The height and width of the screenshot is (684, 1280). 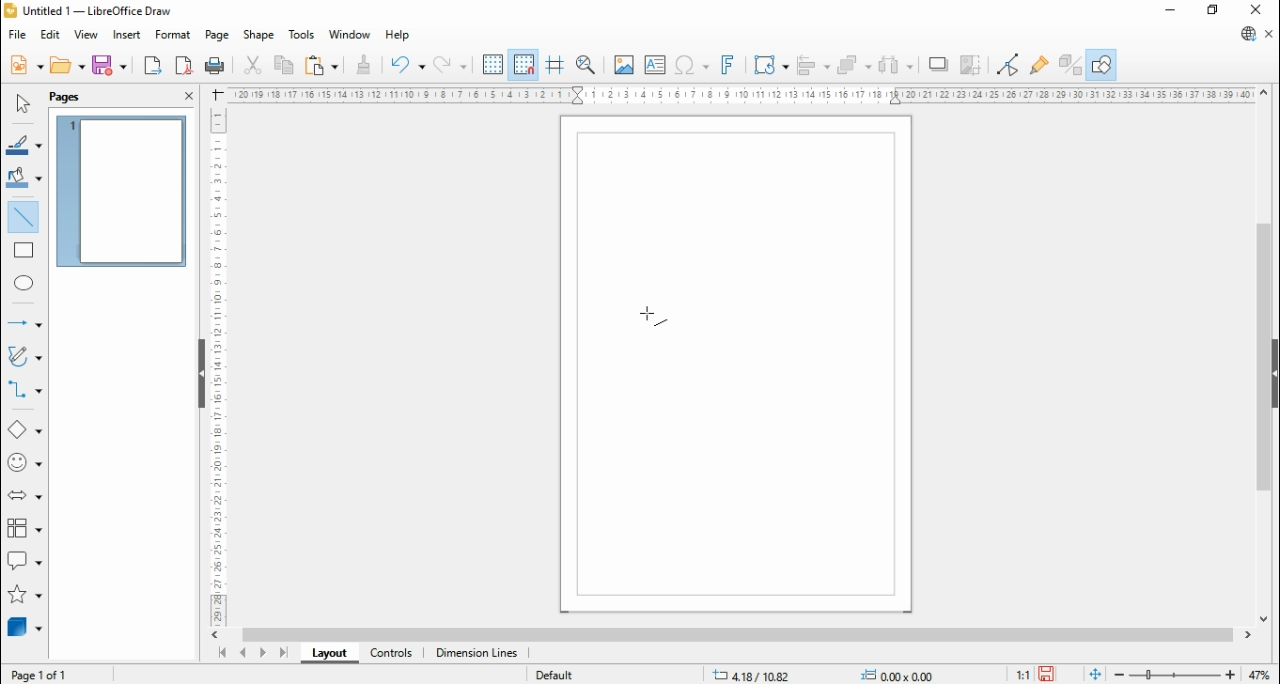 I want to click on zoom factor, so click(x=1262, y=674).